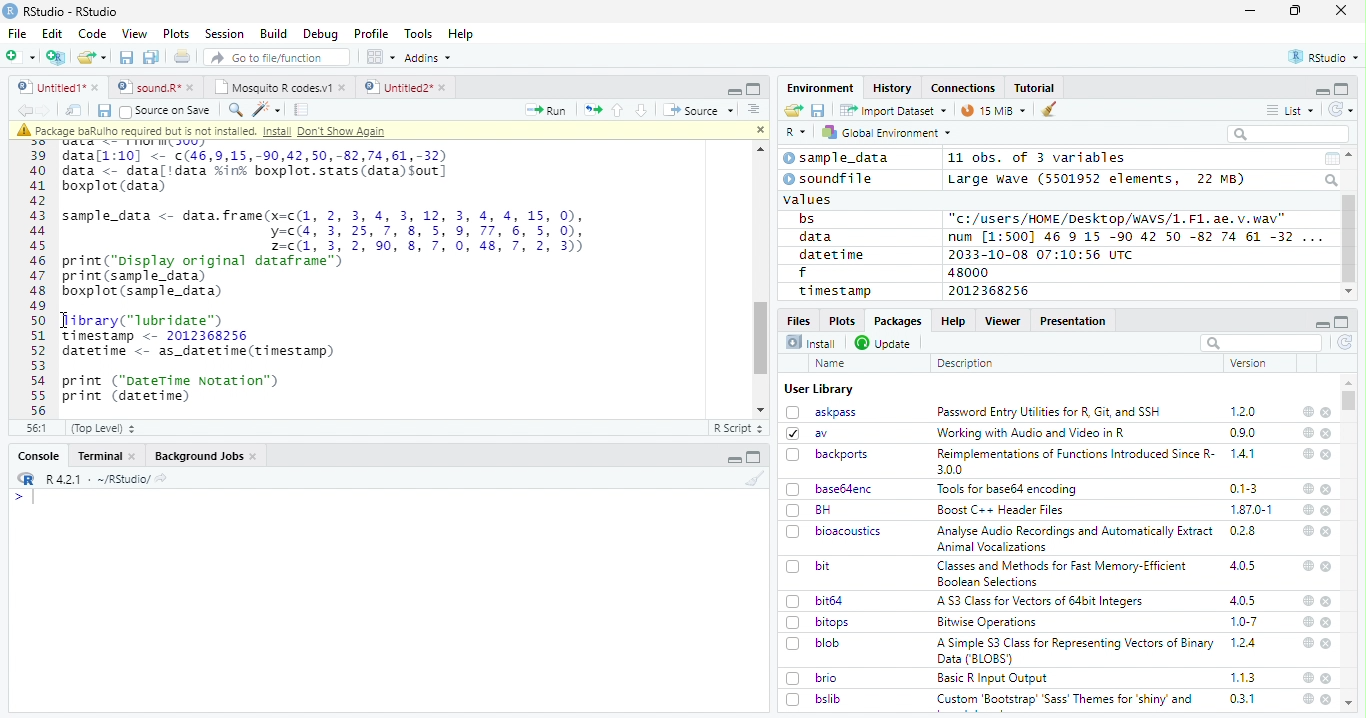 This screenshot has width=1366, height=718. What do you see at coordinates (811, 342) in the screenshot?
I see `Install` at bounding box center [811, 342].